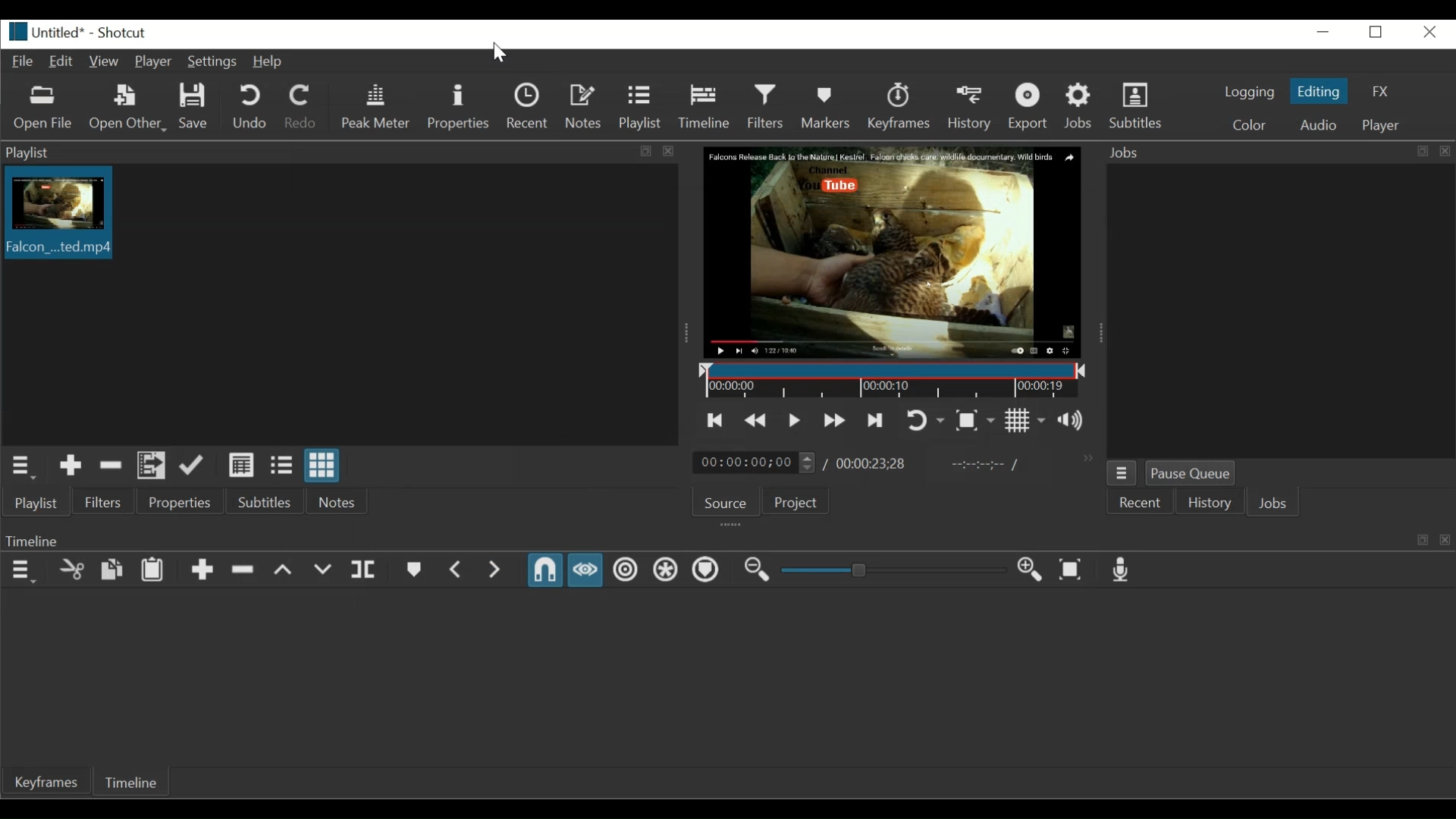 Image resolution: width=1456 pixels, height=819 pixels. What do you see at coordinates (320, 465) in the screenshot?
I see `View as icons` at bounding box center [320, 465].